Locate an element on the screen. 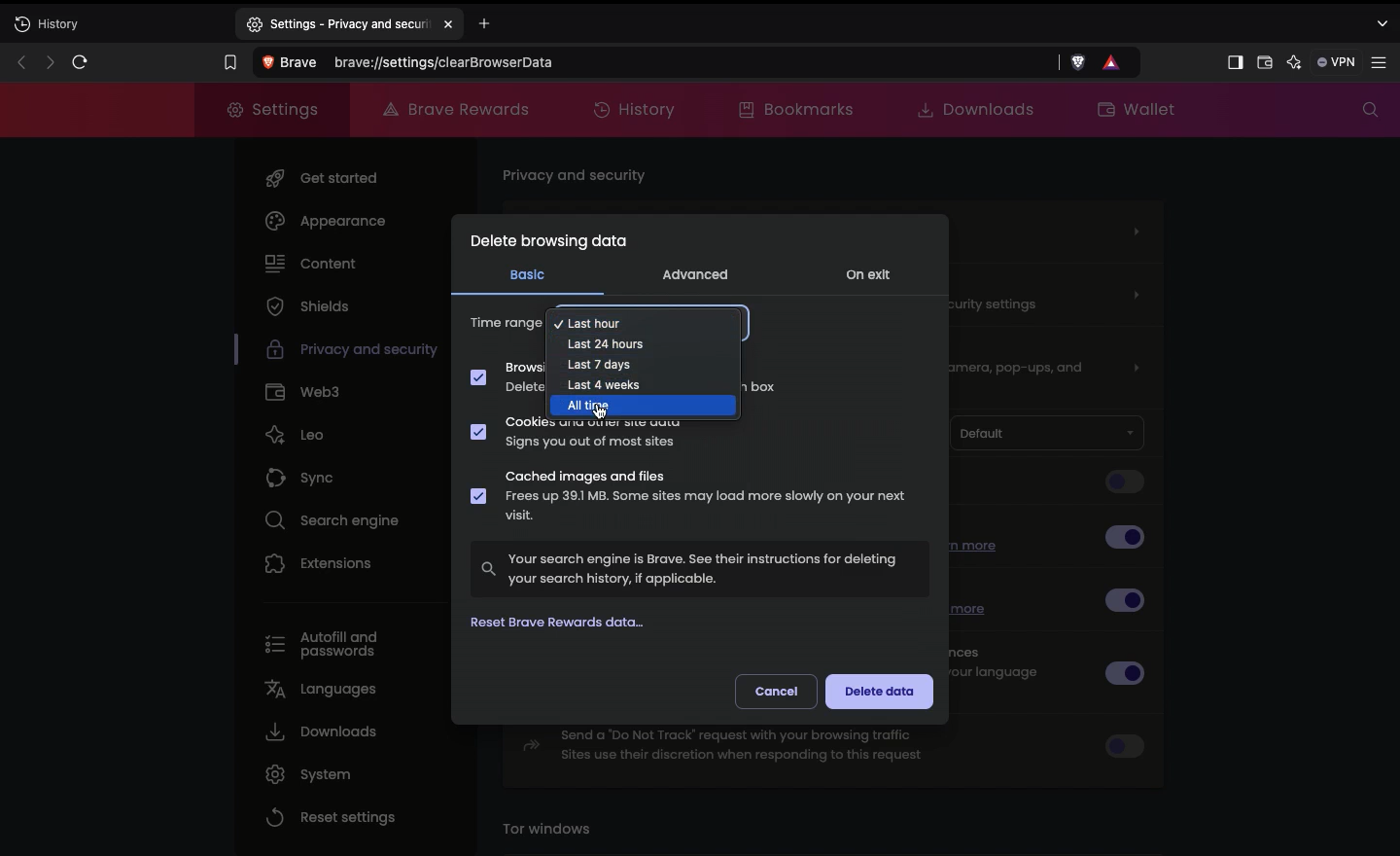  Advanced is located at coordinates (695, 273).